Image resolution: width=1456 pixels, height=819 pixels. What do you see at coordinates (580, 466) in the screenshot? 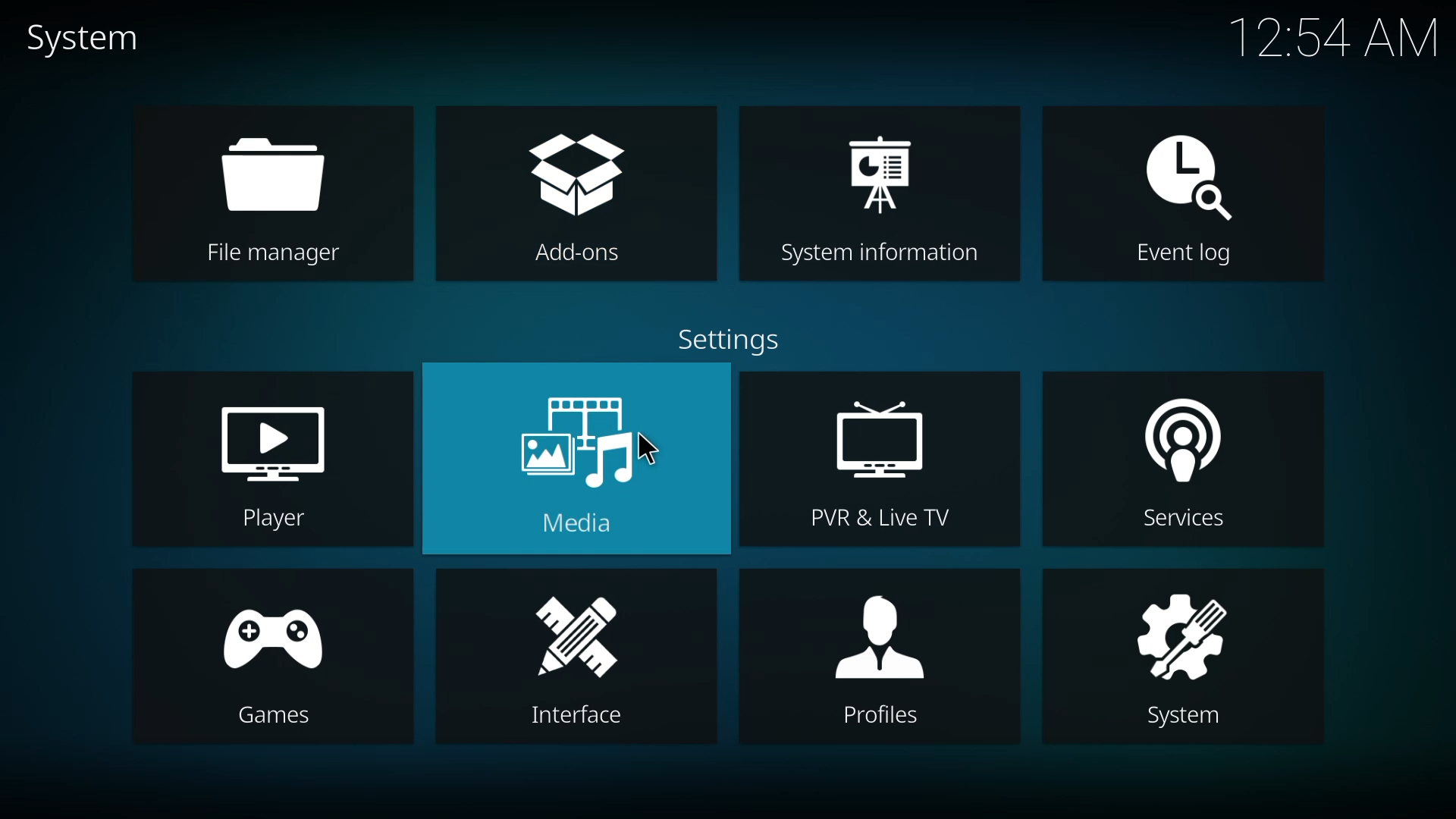
I see `media` at bounding box center [580, 466].